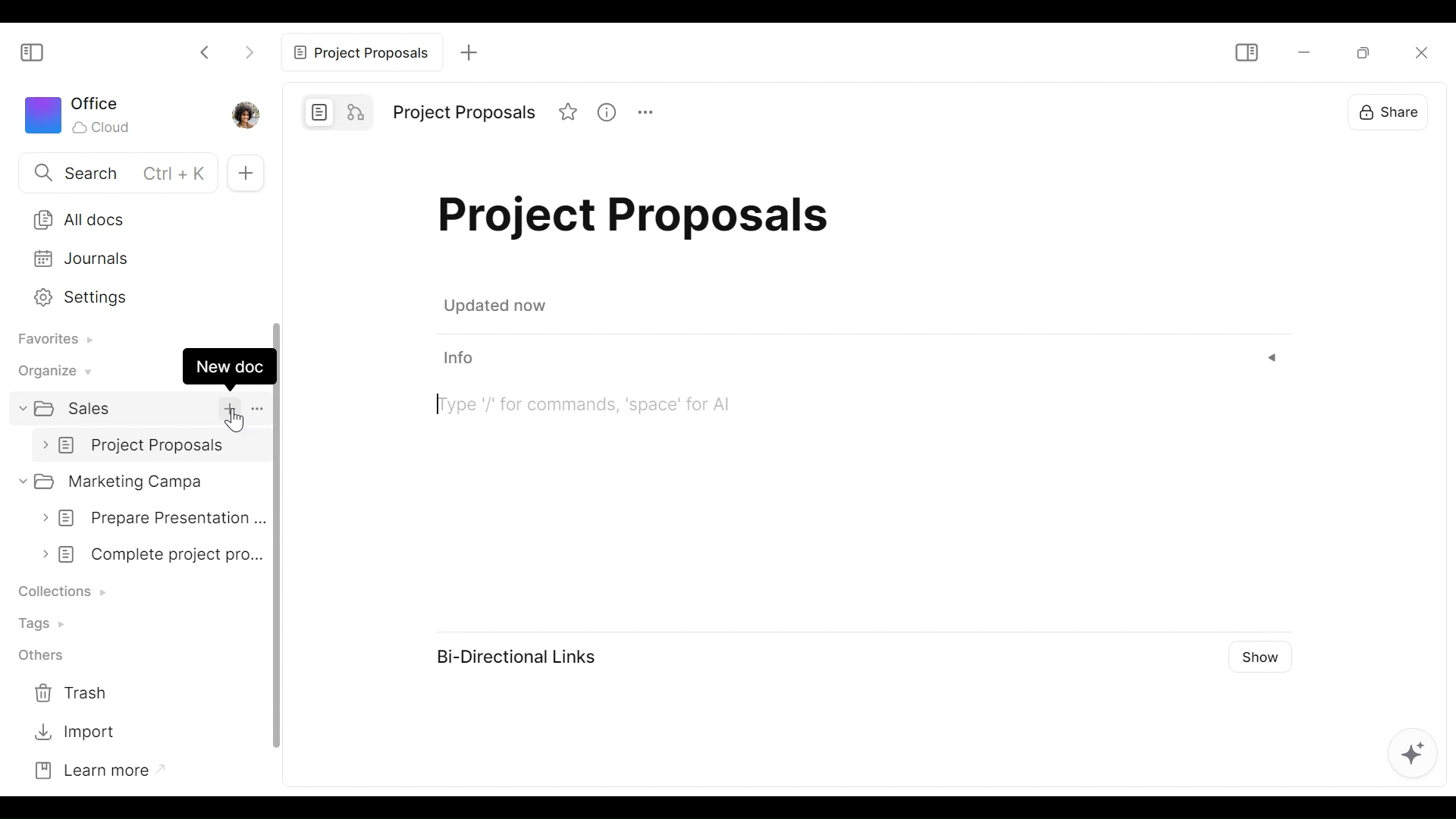  Describe the element at coordinates (1248, 52) in the screenshot. I see `Show/Hide` at that location.